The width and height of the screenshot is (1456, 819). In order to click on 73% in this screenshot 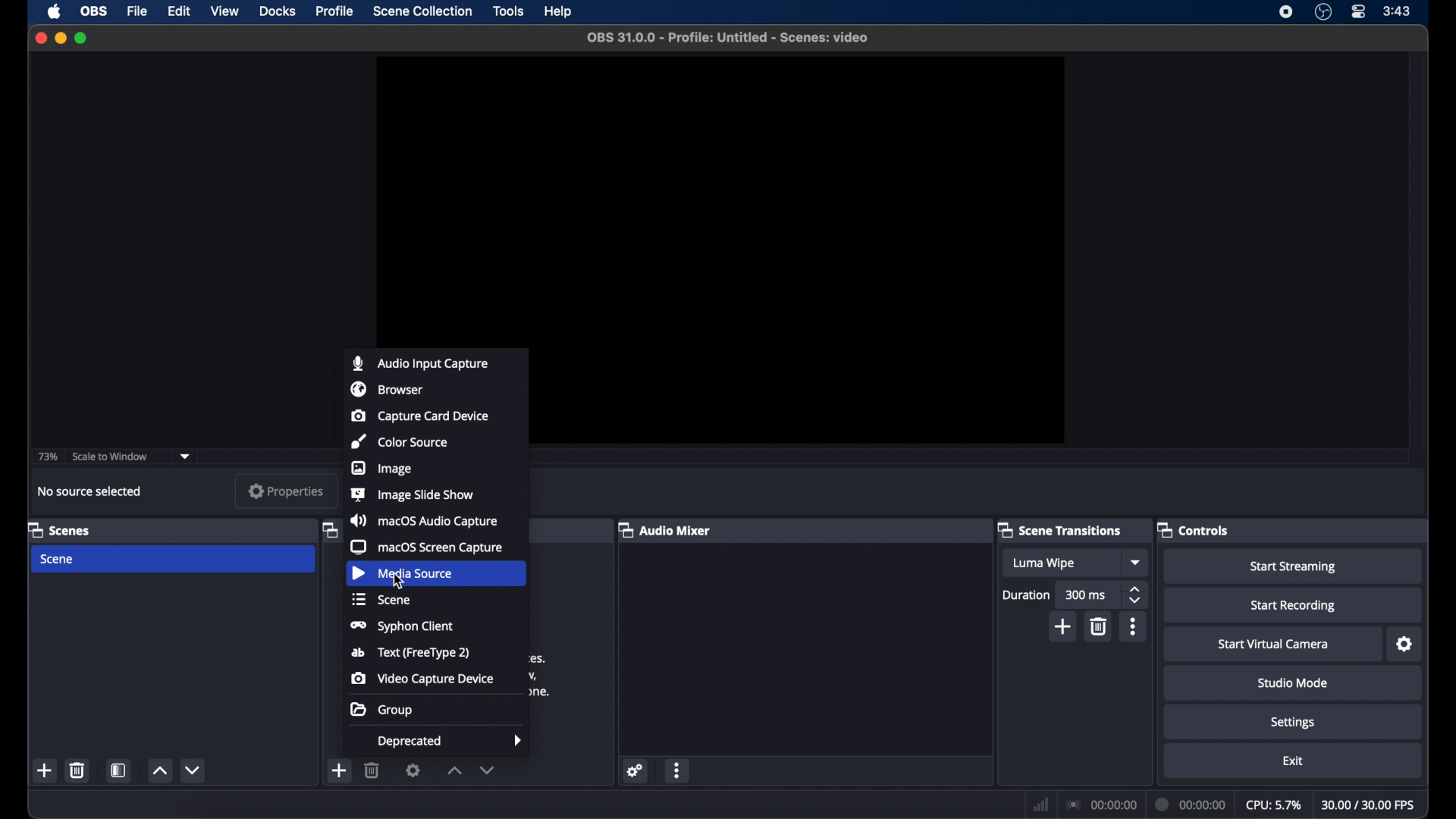, I will do `click(46, 457)`.